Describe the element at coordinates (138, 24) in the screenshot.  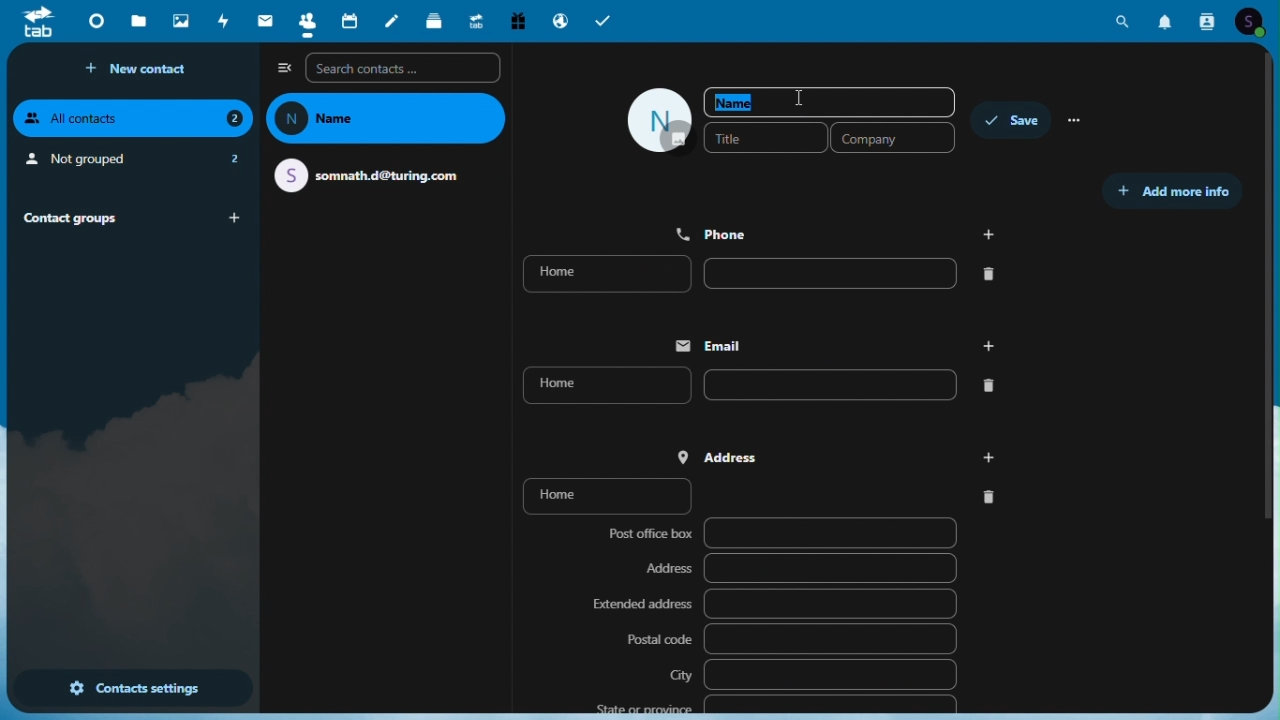
I see `Files` at that location.